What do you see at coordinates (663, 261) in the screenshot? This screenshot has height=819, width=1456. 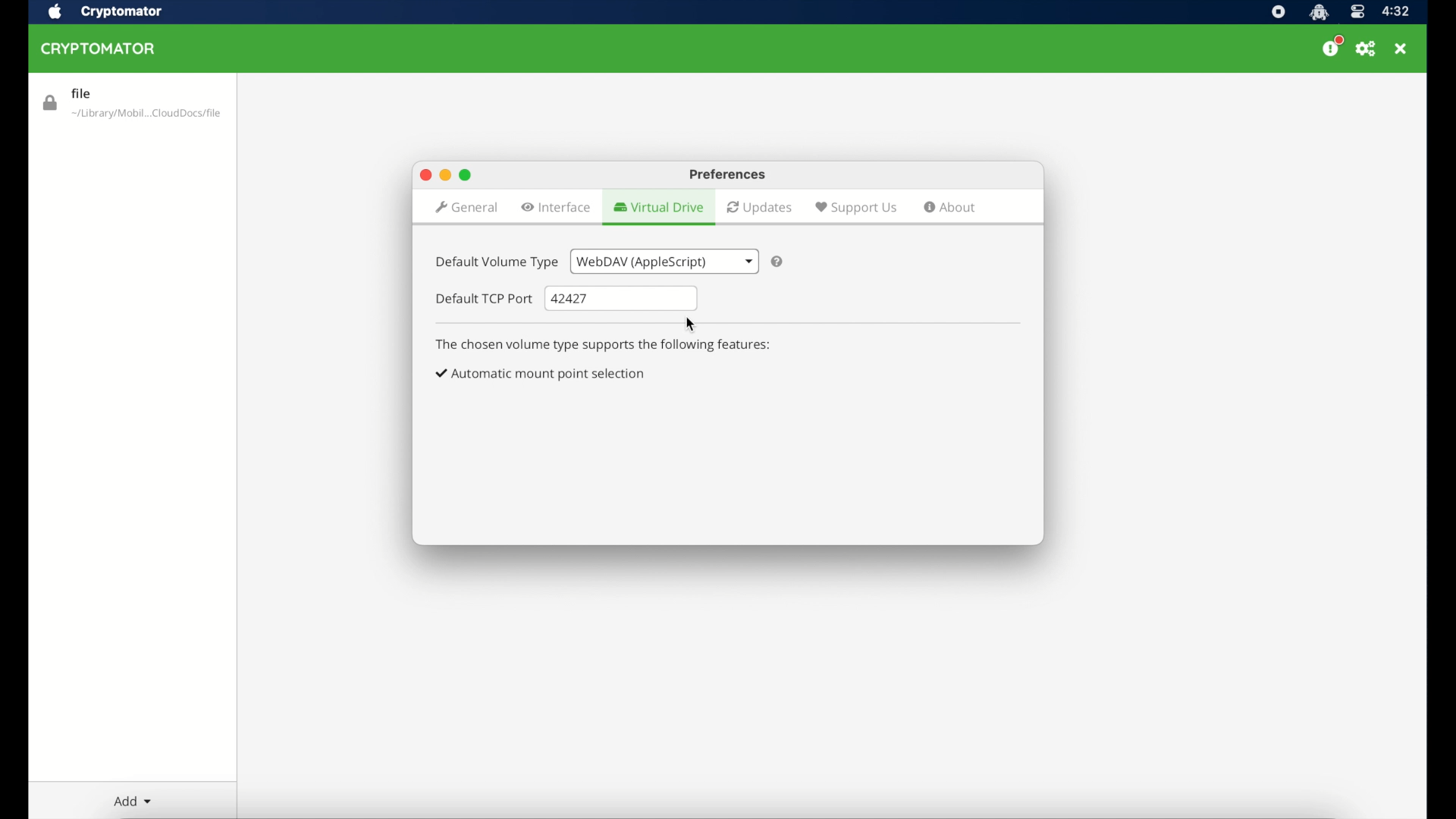 I see `volume type` at bounding box center [663, 261].